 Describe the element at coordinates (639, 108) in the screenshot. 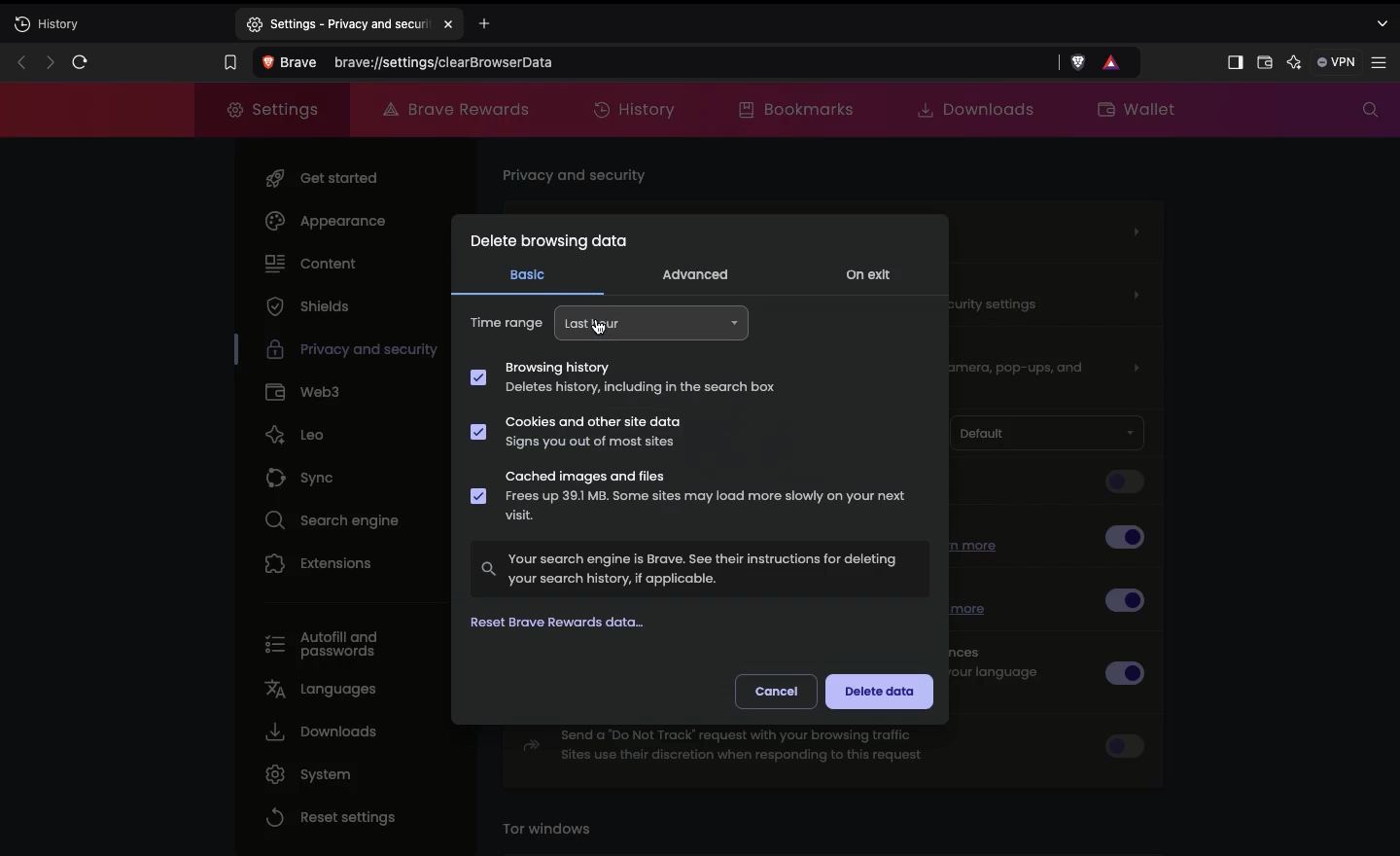

I see `History` at that location.